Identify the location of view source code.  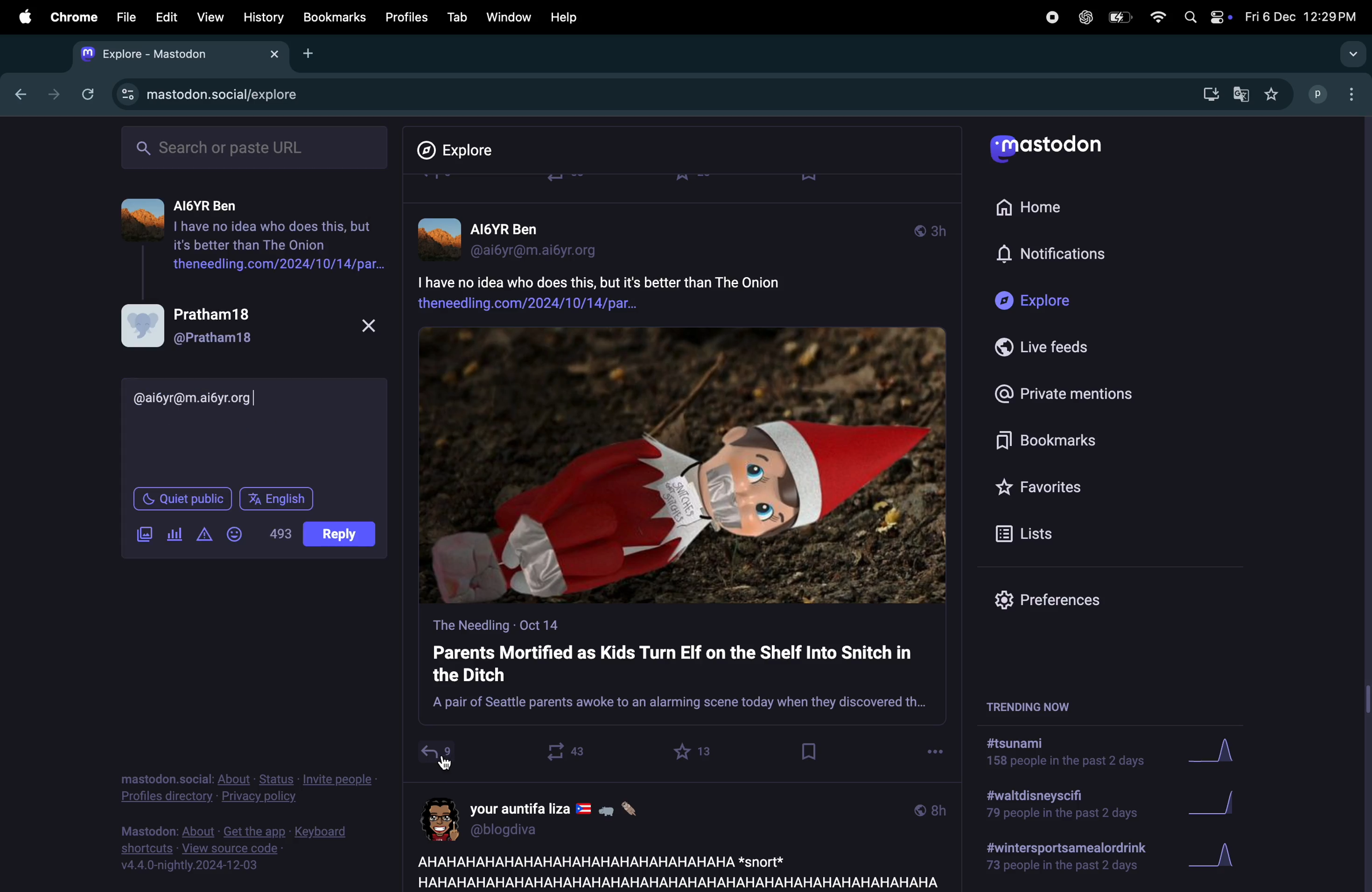
(244, 848).